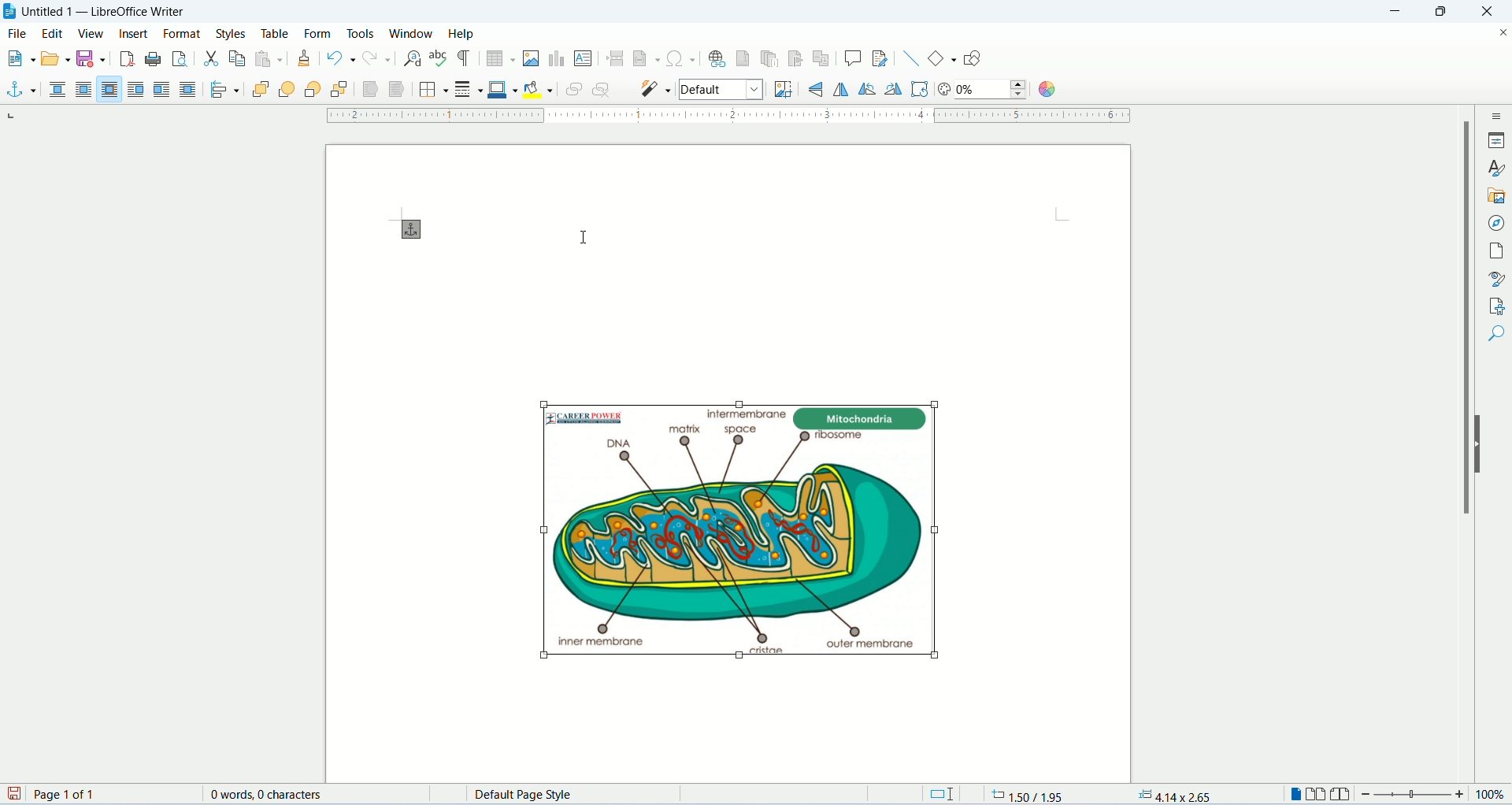 The height and width of the screenshot is (805, 1512). What do you see at coordinates (974, 57) in the screenshot?
I see `show draw functions` at bounding box center [974, 57].